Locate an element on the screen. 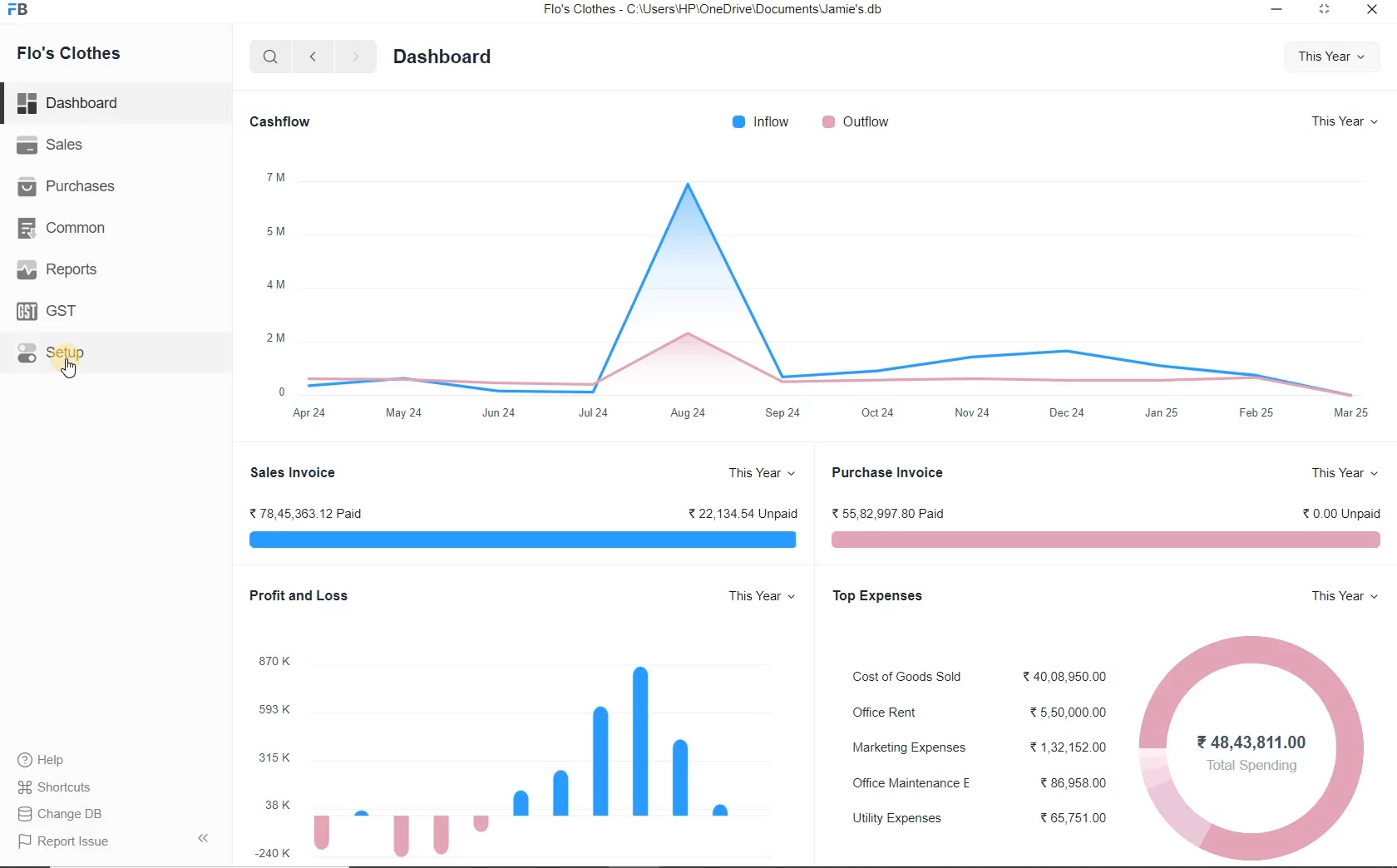 This screenshot has height=868, width=1397. Backward is located at coordinates (313, 56).